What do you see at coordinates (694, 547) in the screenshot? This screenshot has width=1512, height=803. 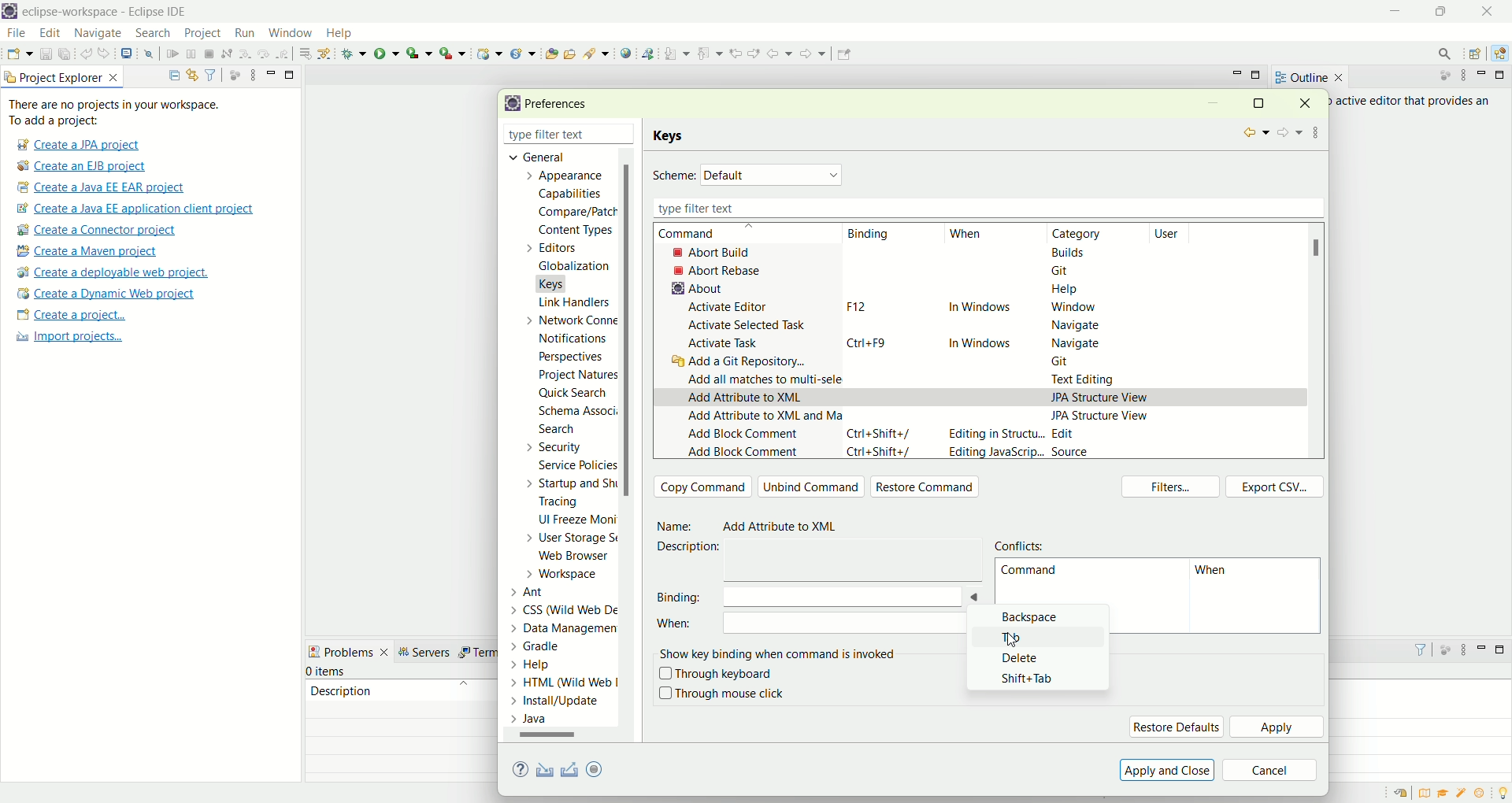 I see `description` at bounding box center [694, 547].